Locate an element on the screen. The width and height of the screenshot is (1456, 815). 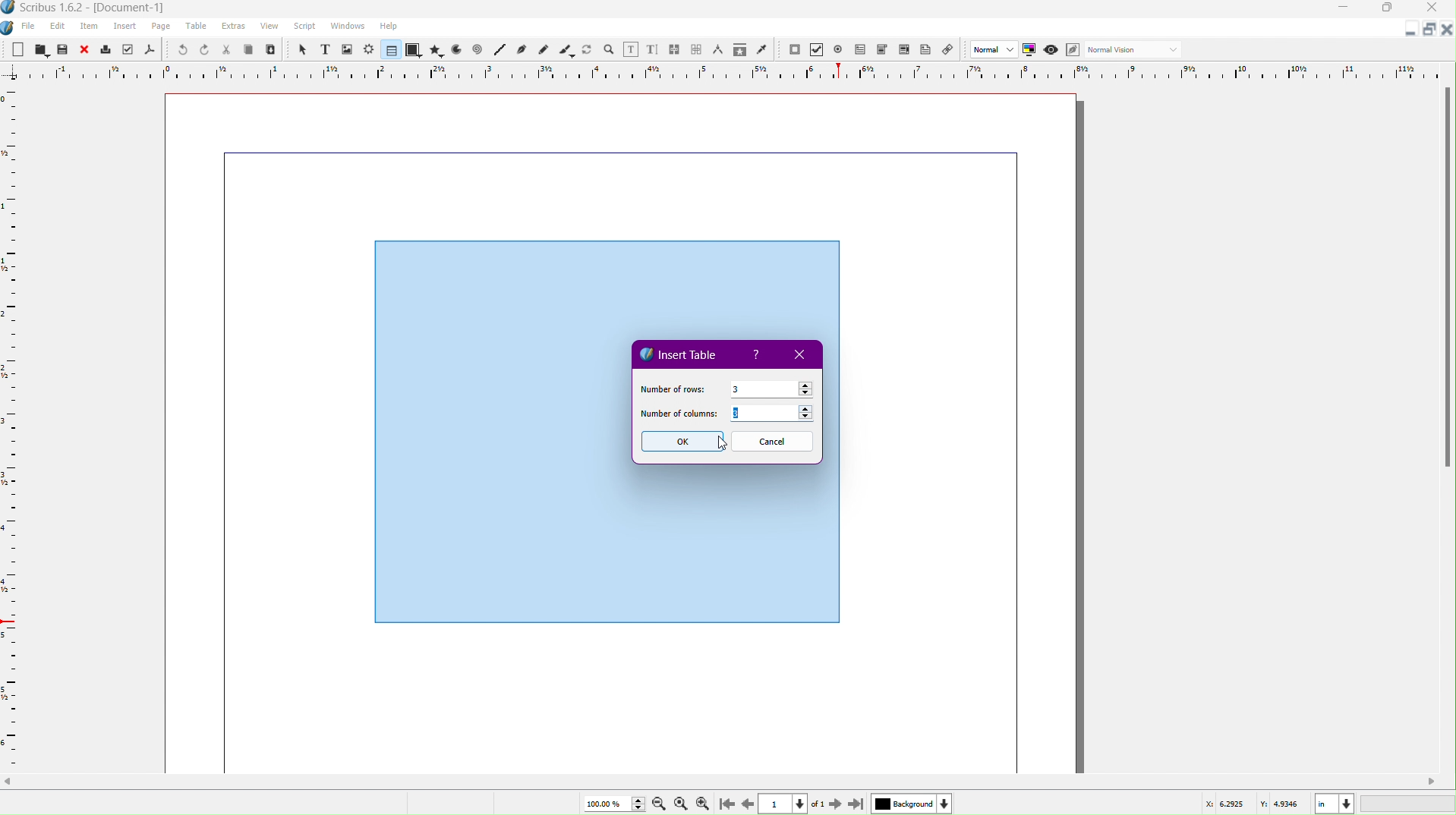
Link Annotation is located at coordinates (952, 51).